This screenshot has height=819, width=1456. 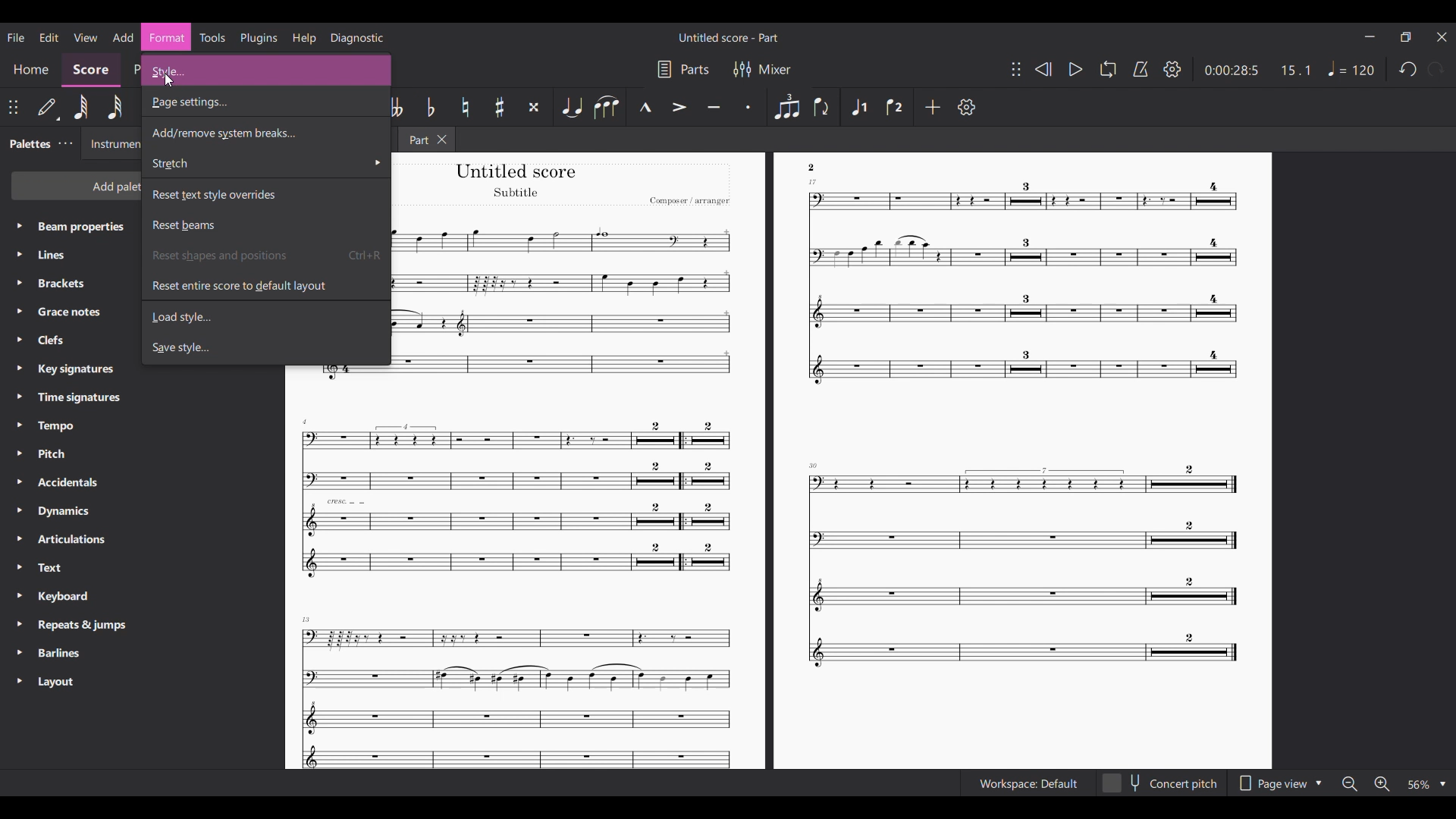 What do you see at coordinates (684, 70) in the screenshot?
I see `Parts settings` at bounding box center [684, 70].